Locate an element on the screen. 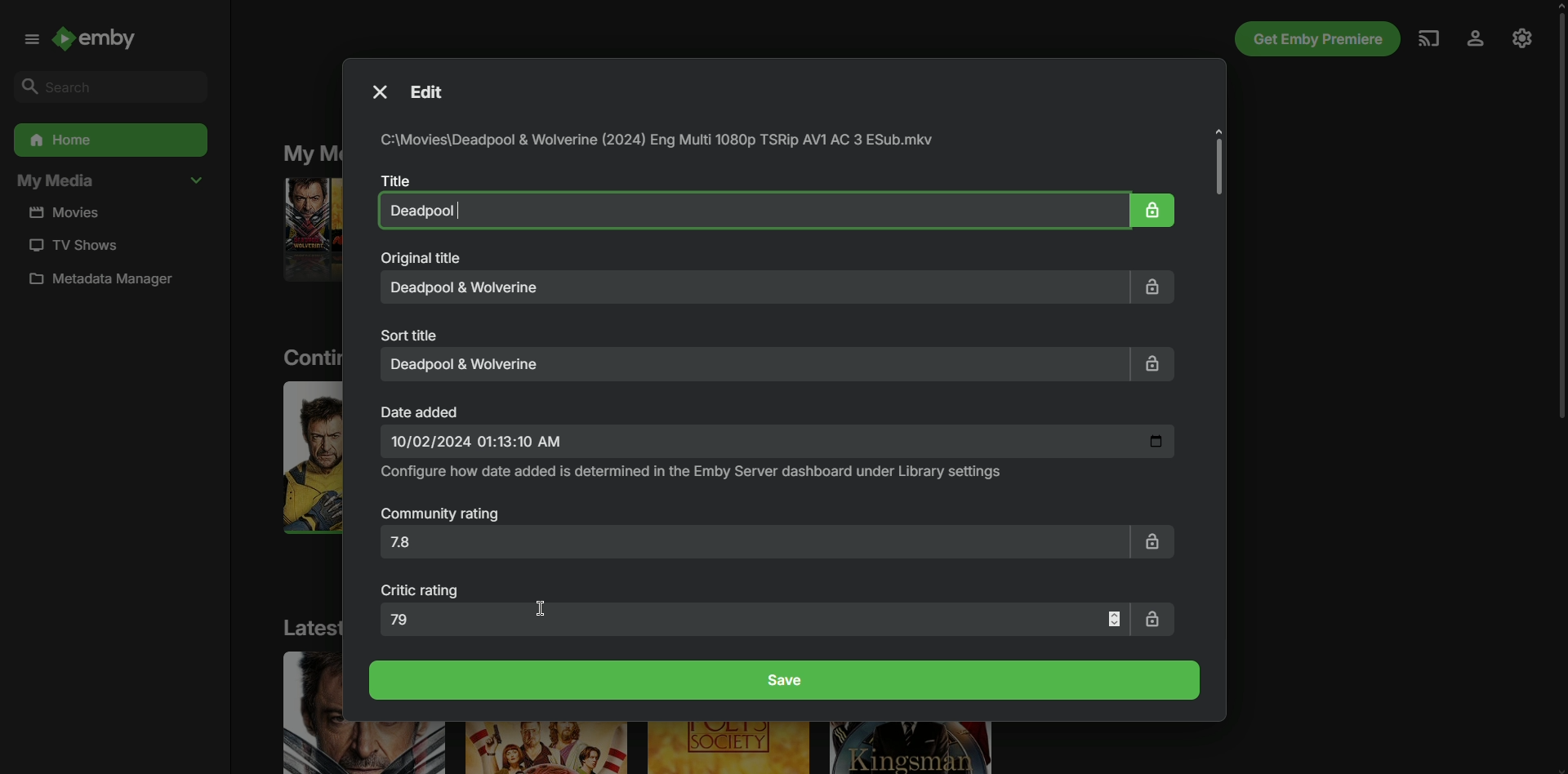  Configure how date and time added is determined is located at coordinates (693, 473).